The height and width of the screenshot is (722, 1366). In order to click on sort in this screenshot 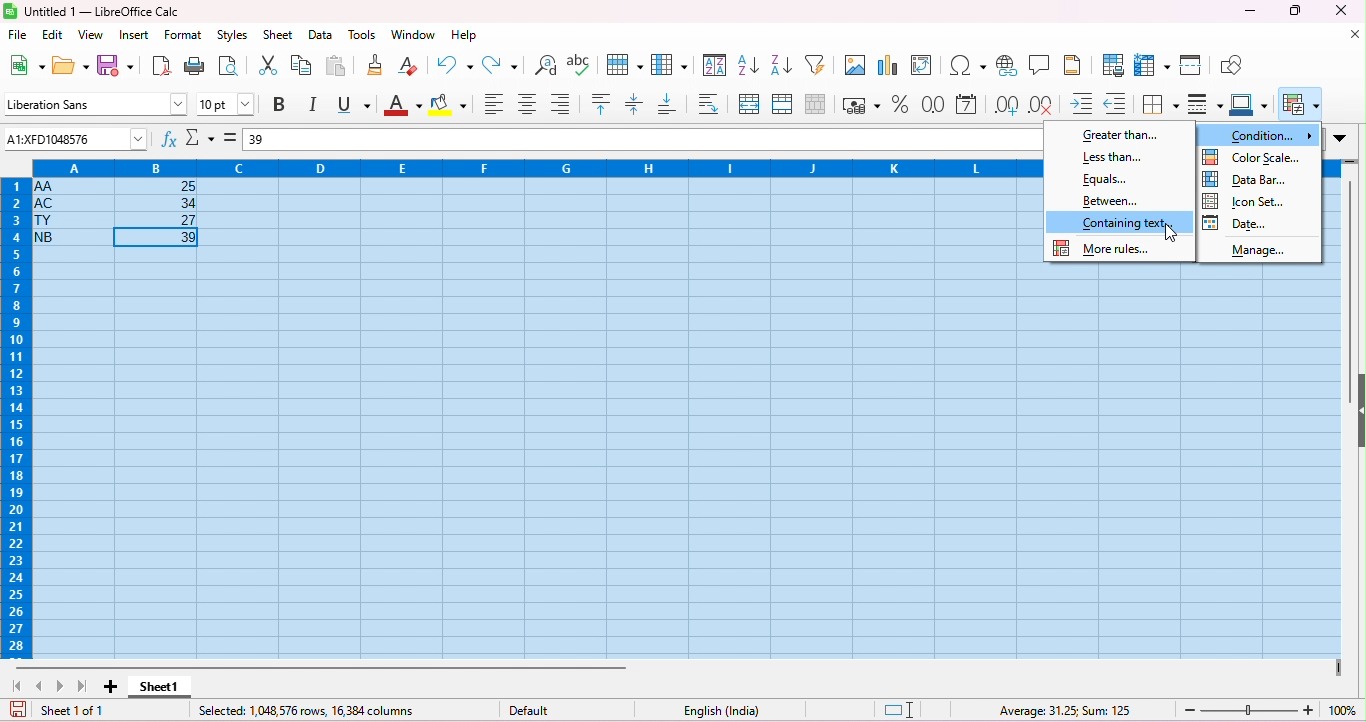, I will do `click(715, 65)`.